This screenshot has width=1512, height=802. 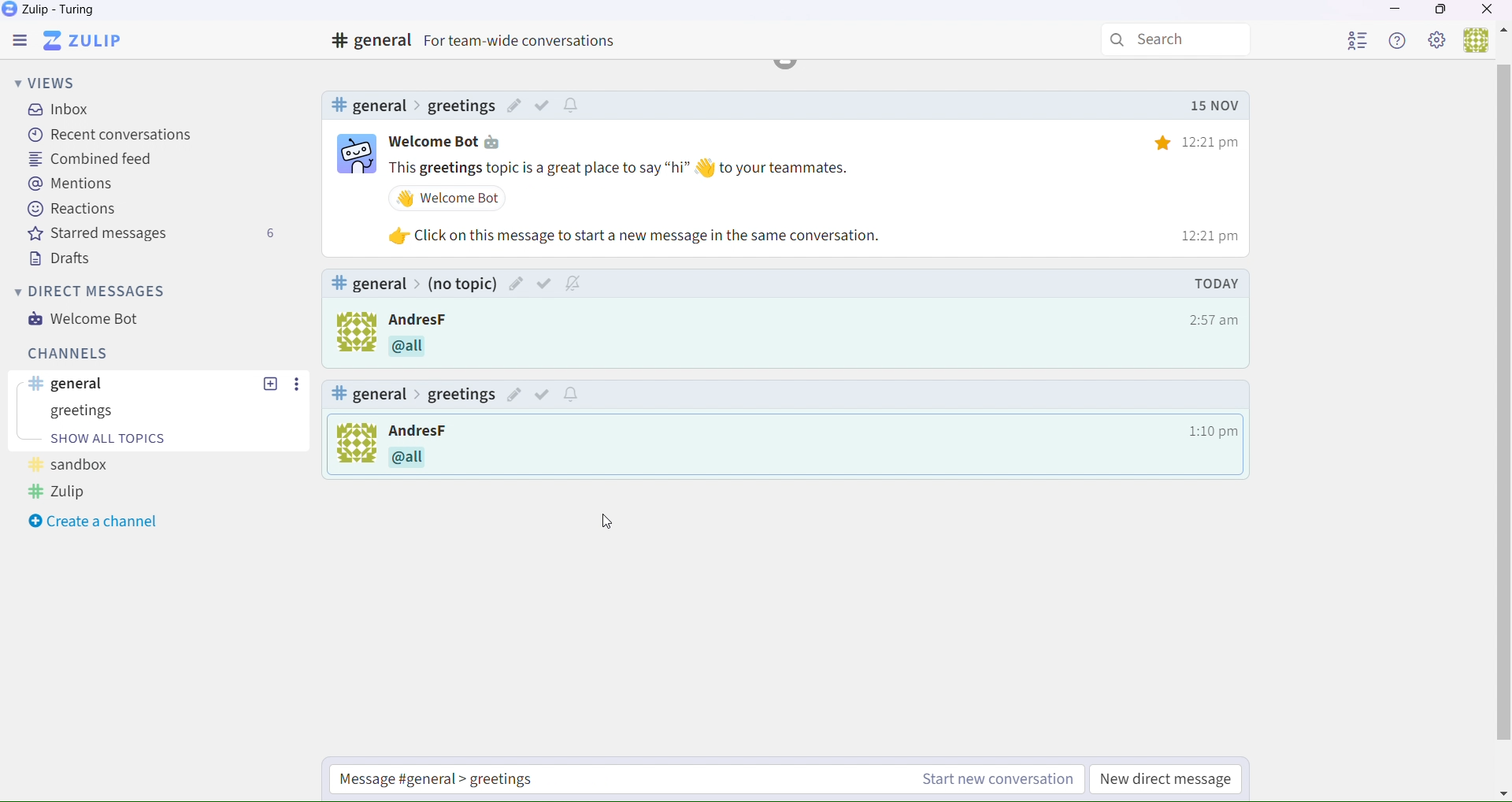 I want to click on Starred messages, so click(x=152, y=236).